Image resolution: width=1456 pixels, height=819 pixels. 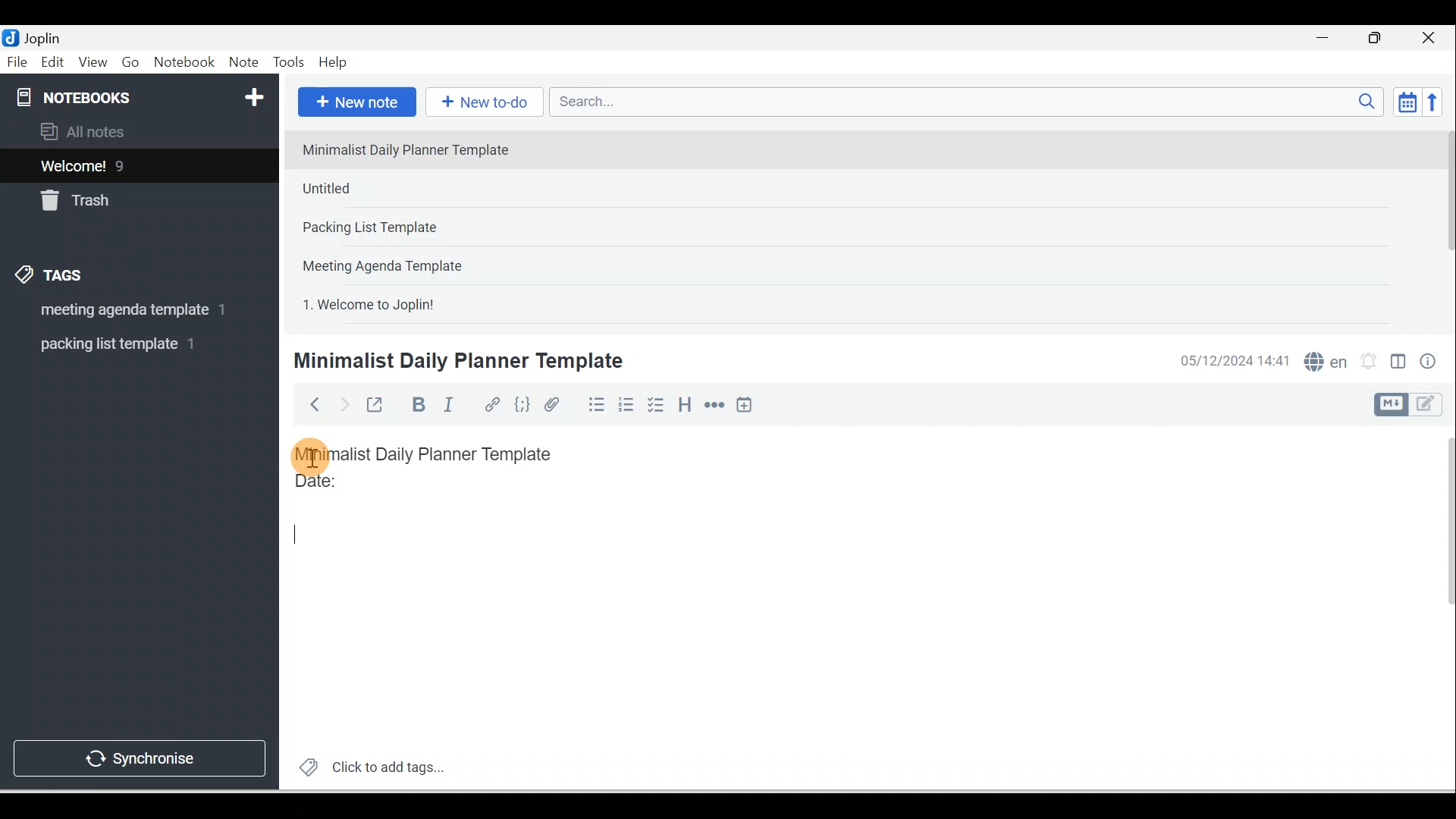 What do you see at coordinates (138, 755) in the screenshot?
I see `Synchronise` at bounding box center [138, 755].